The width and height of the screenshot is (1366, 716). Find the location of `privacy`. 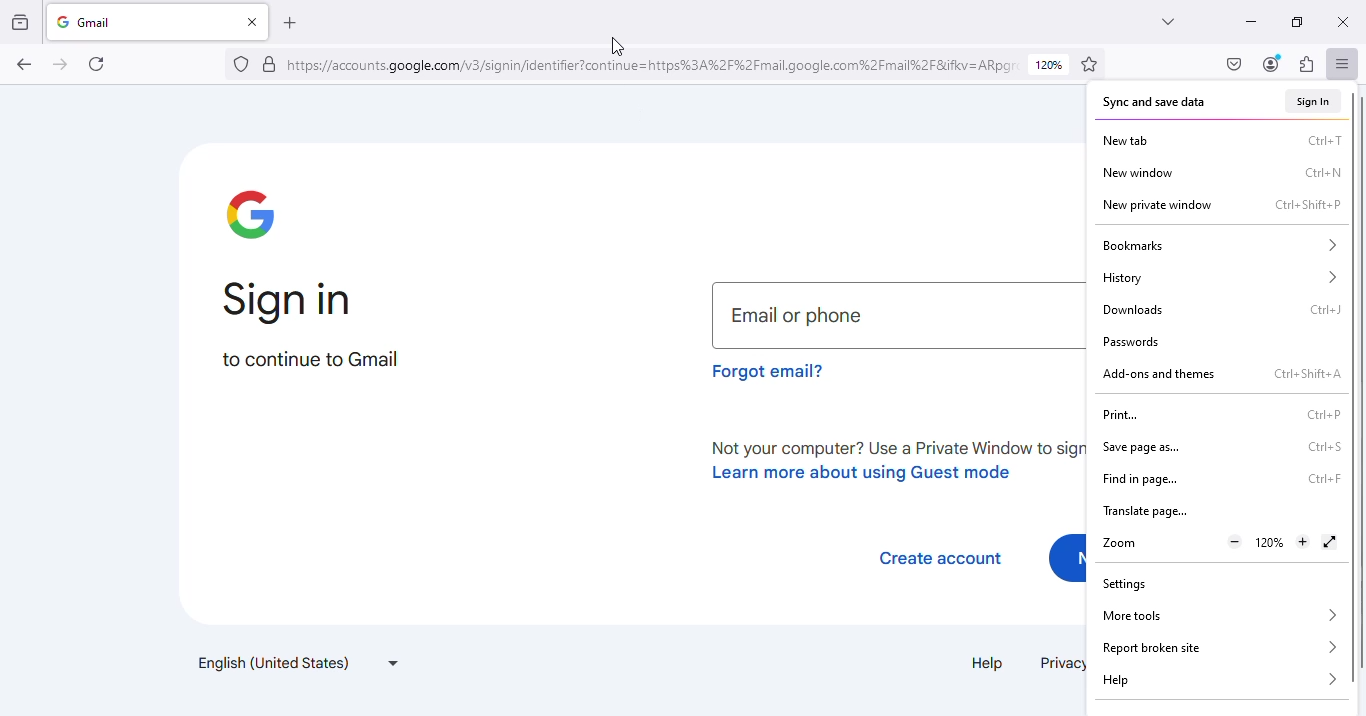

privacy is located at coordinates (1060, 664).